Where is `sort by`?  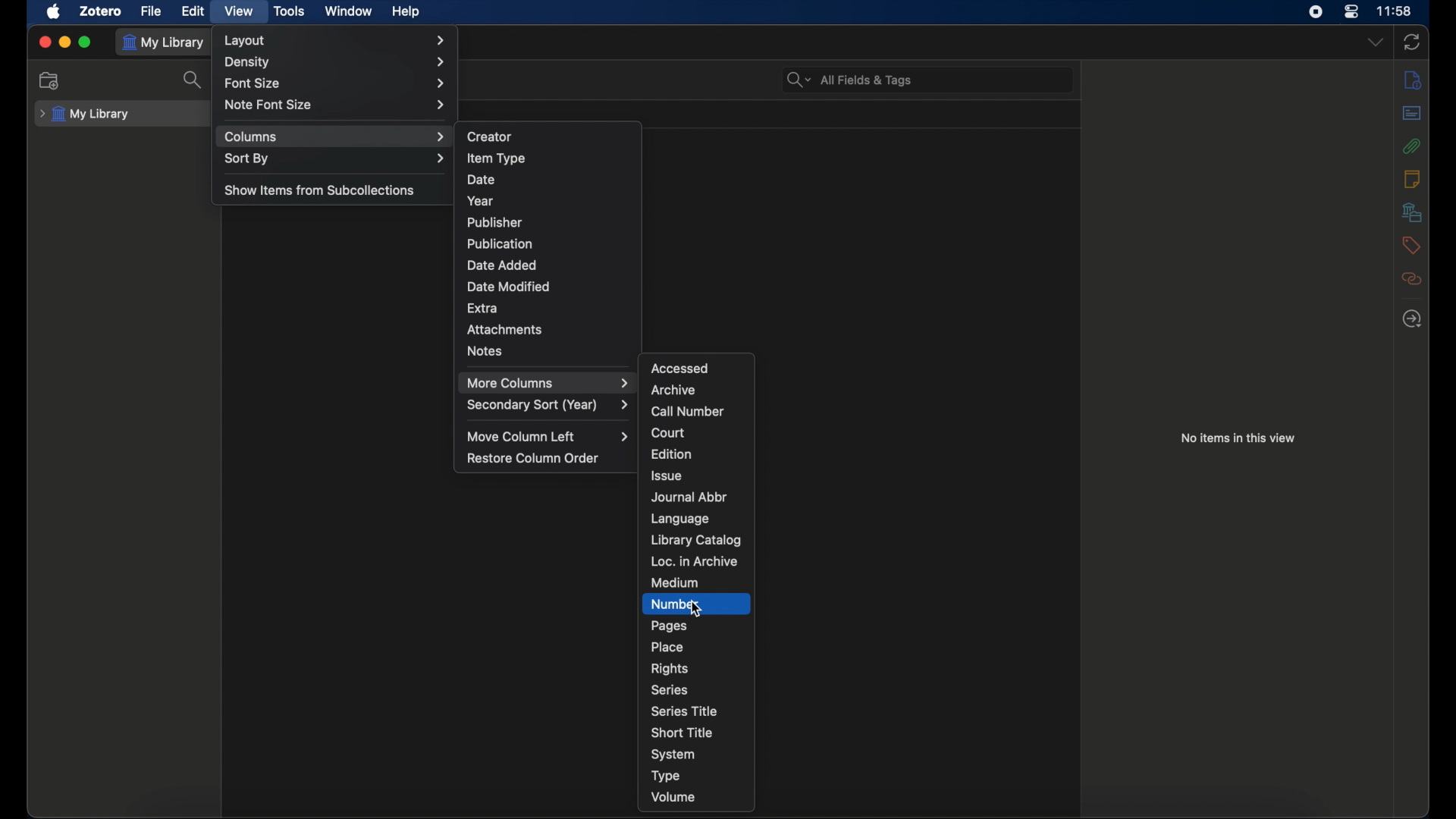 sort by is located at coordinates (334, 158).